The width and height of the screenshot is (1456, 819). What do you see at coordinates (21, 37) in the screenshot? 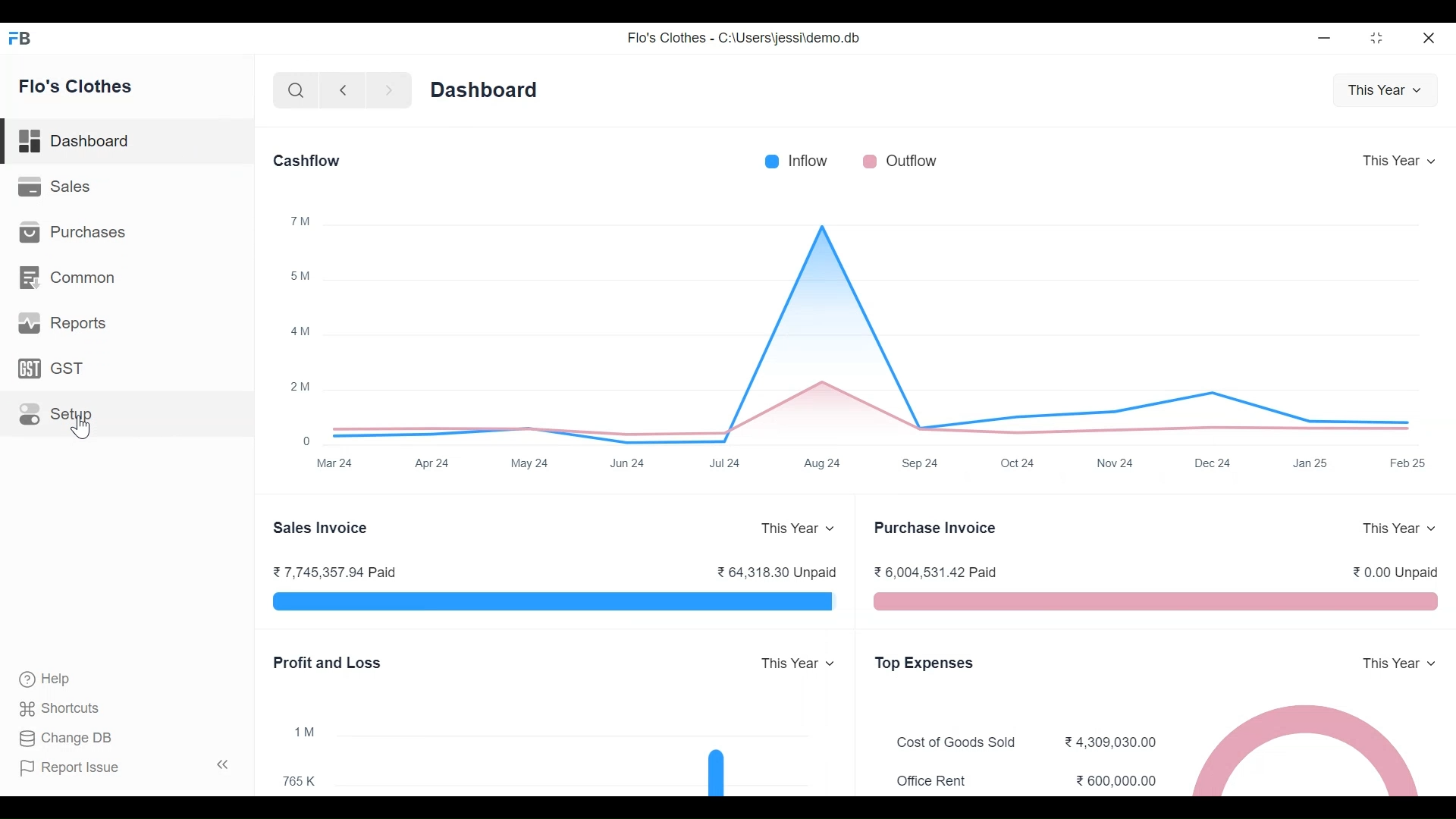
I see `FB` at bounding box center [21, 37].